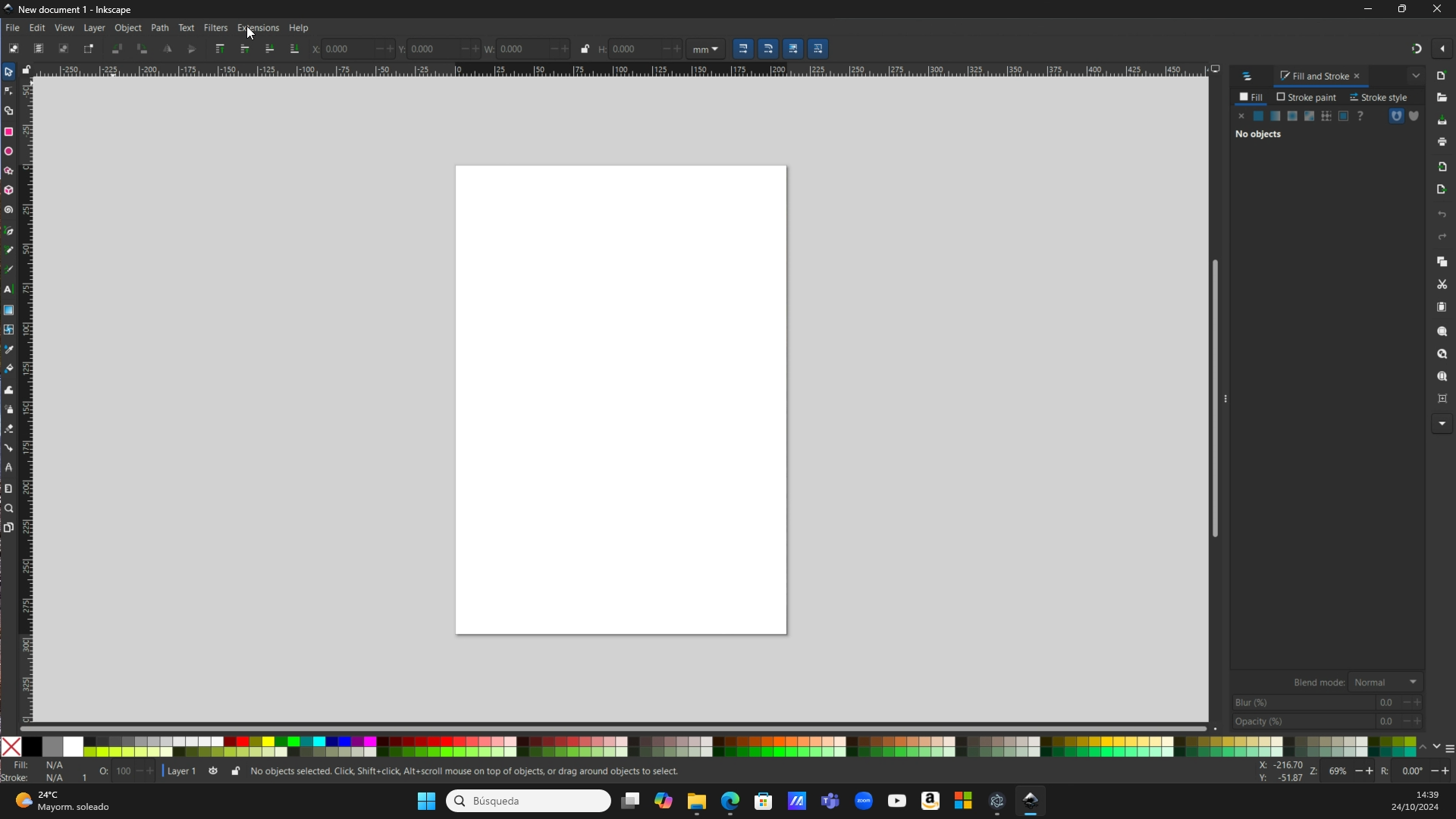 The image size is (1456, 819). I want to click on Objects, so click(1302, 130).